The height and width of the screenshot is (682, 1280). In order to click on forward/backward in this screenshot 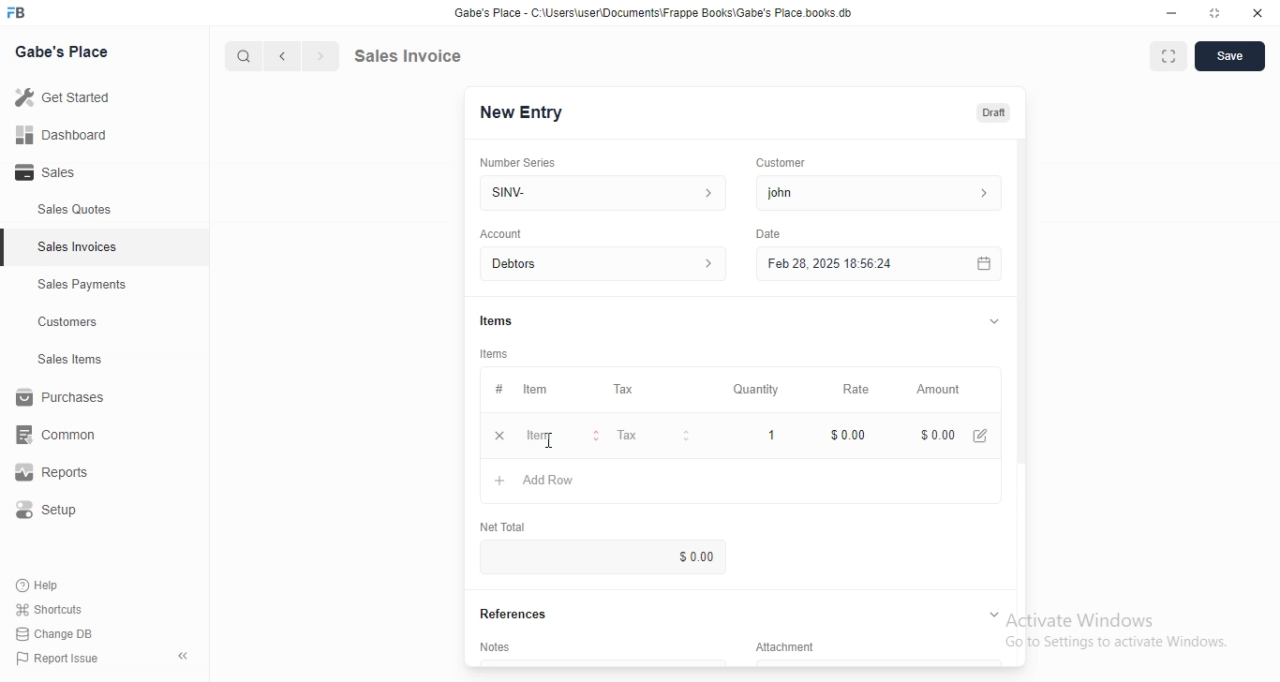, I will do `click(300, 56)`.